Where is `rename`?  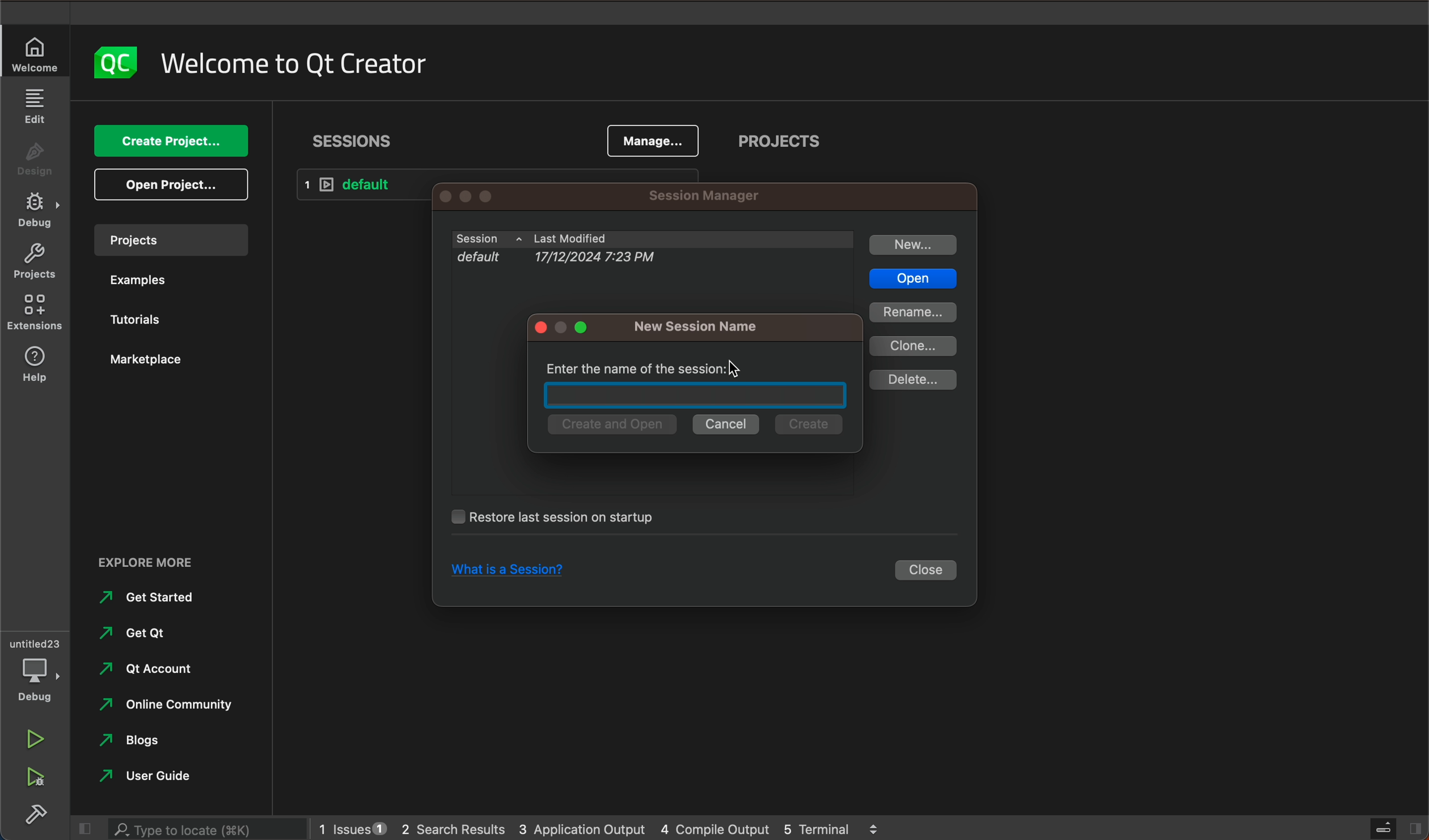
rename is located at coordinates (912, 312).